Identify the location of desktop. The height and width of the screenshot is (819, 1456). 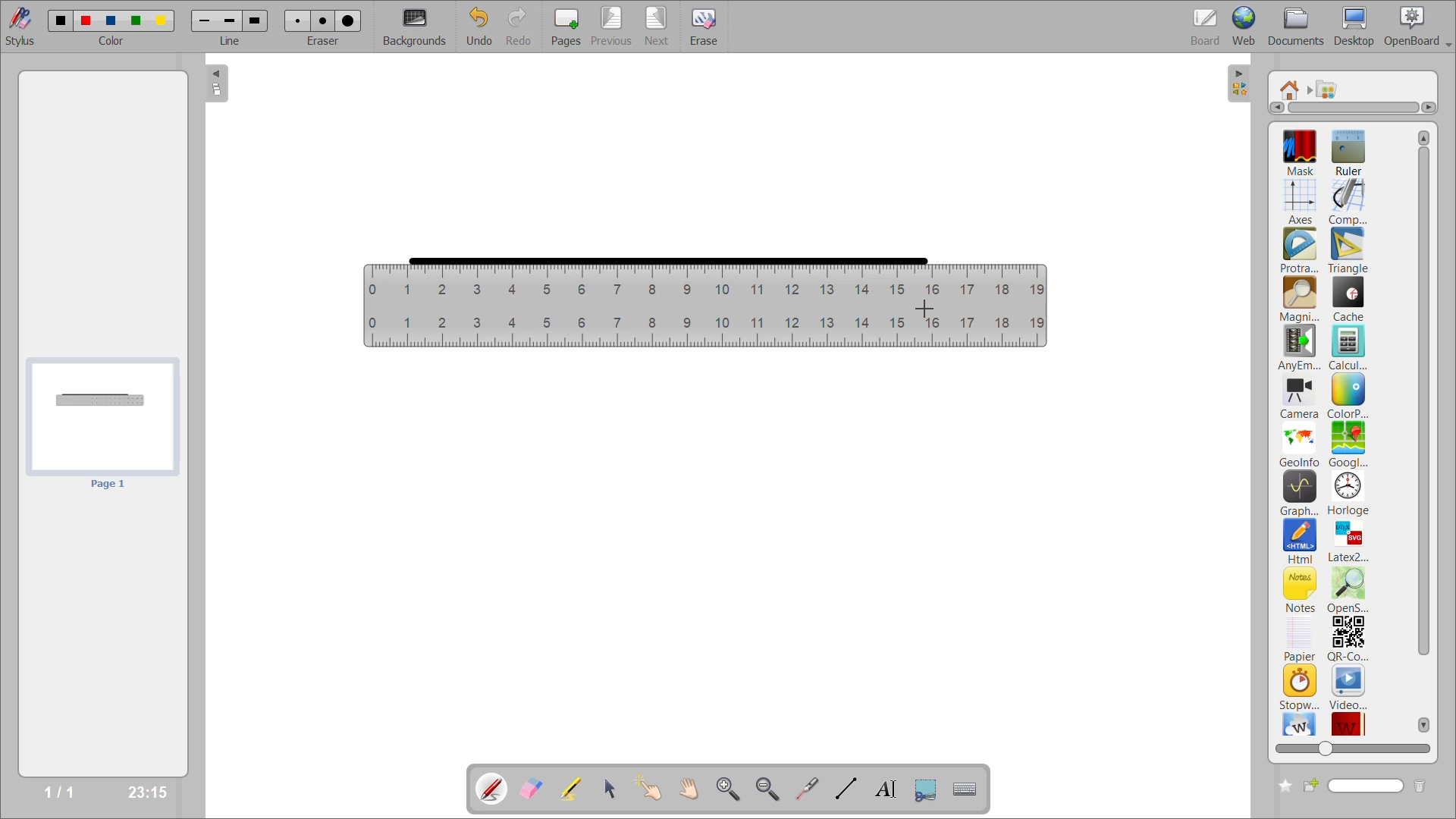
(1355, 26).